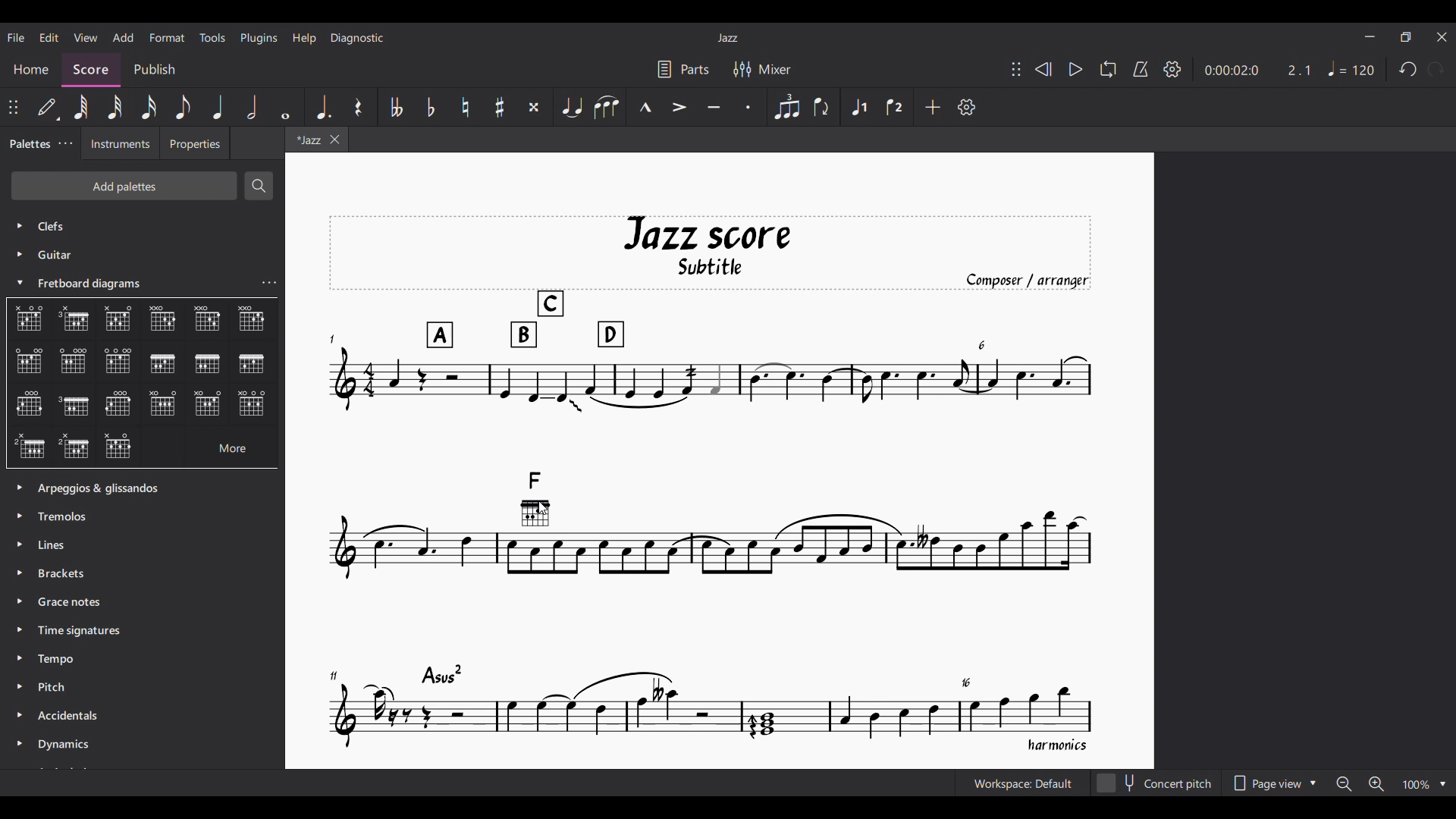  I want to click on Freetboard, so click(97, 284).